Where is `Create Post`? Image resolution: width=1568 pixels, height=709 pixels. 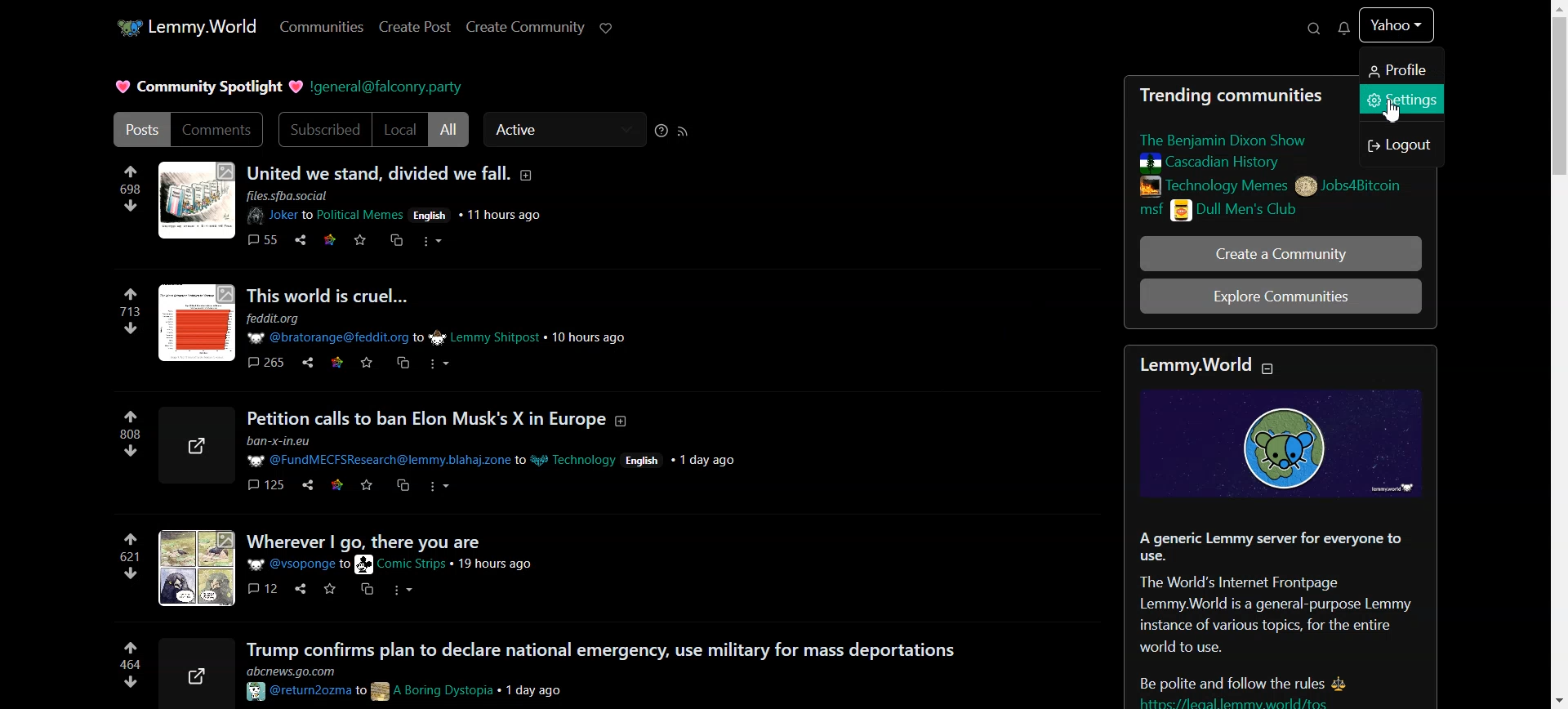
Create Post is located at coordinates (416, 27).